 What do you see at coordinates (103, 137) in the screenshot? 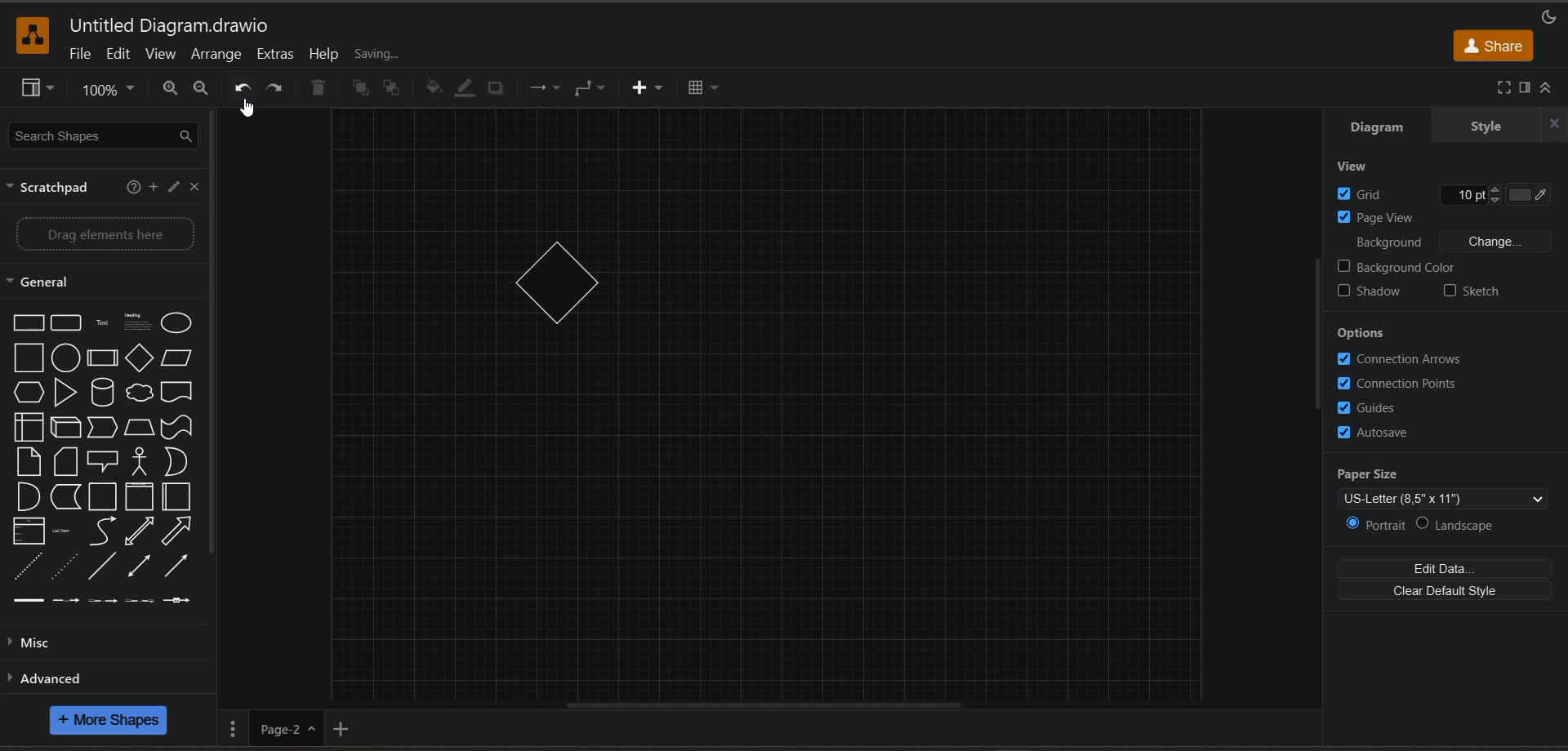
I see `search shapes` at bounding box center [103, 137].